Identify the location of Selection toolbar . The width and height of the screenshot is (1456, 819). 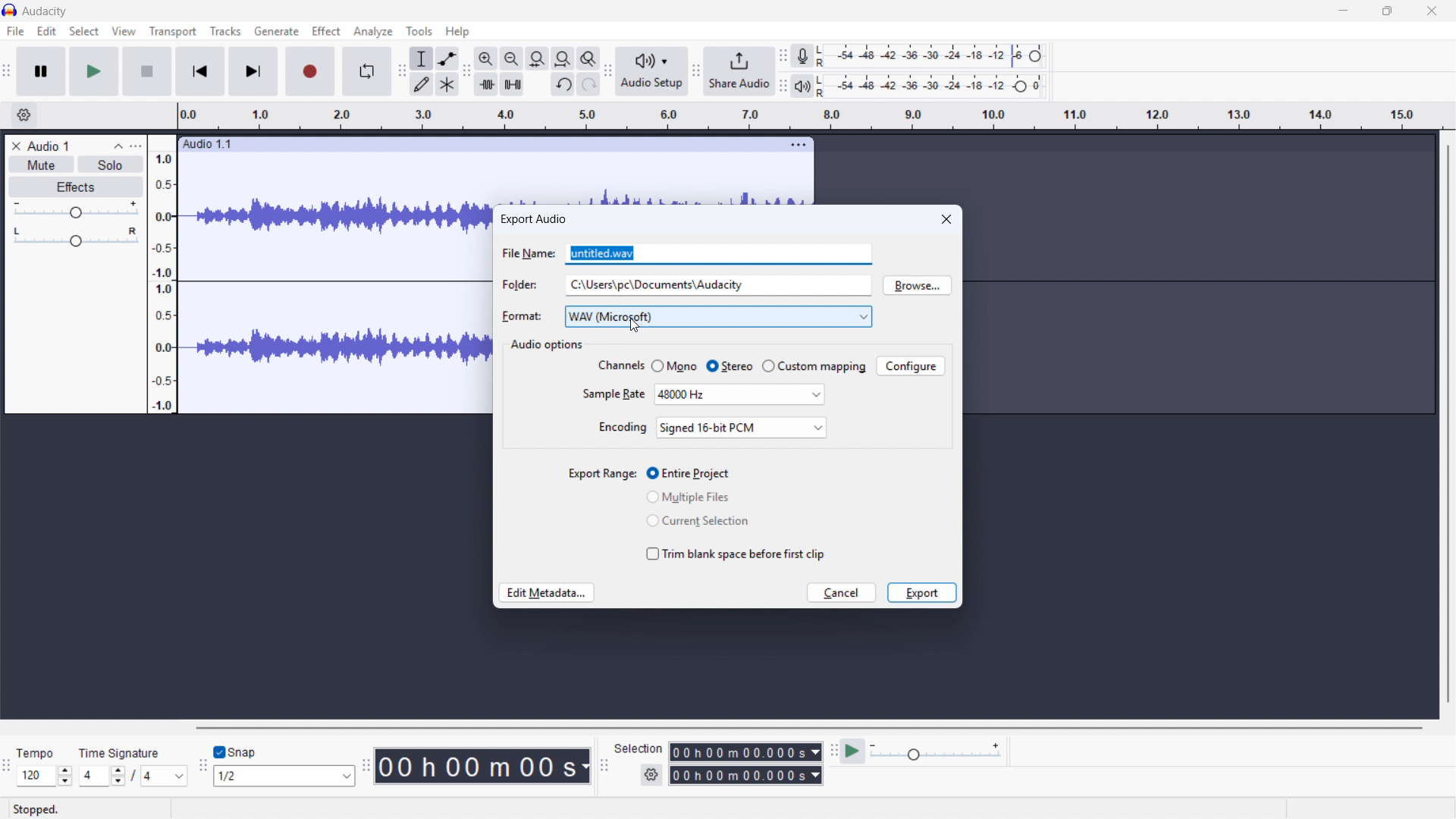
(604, 764).